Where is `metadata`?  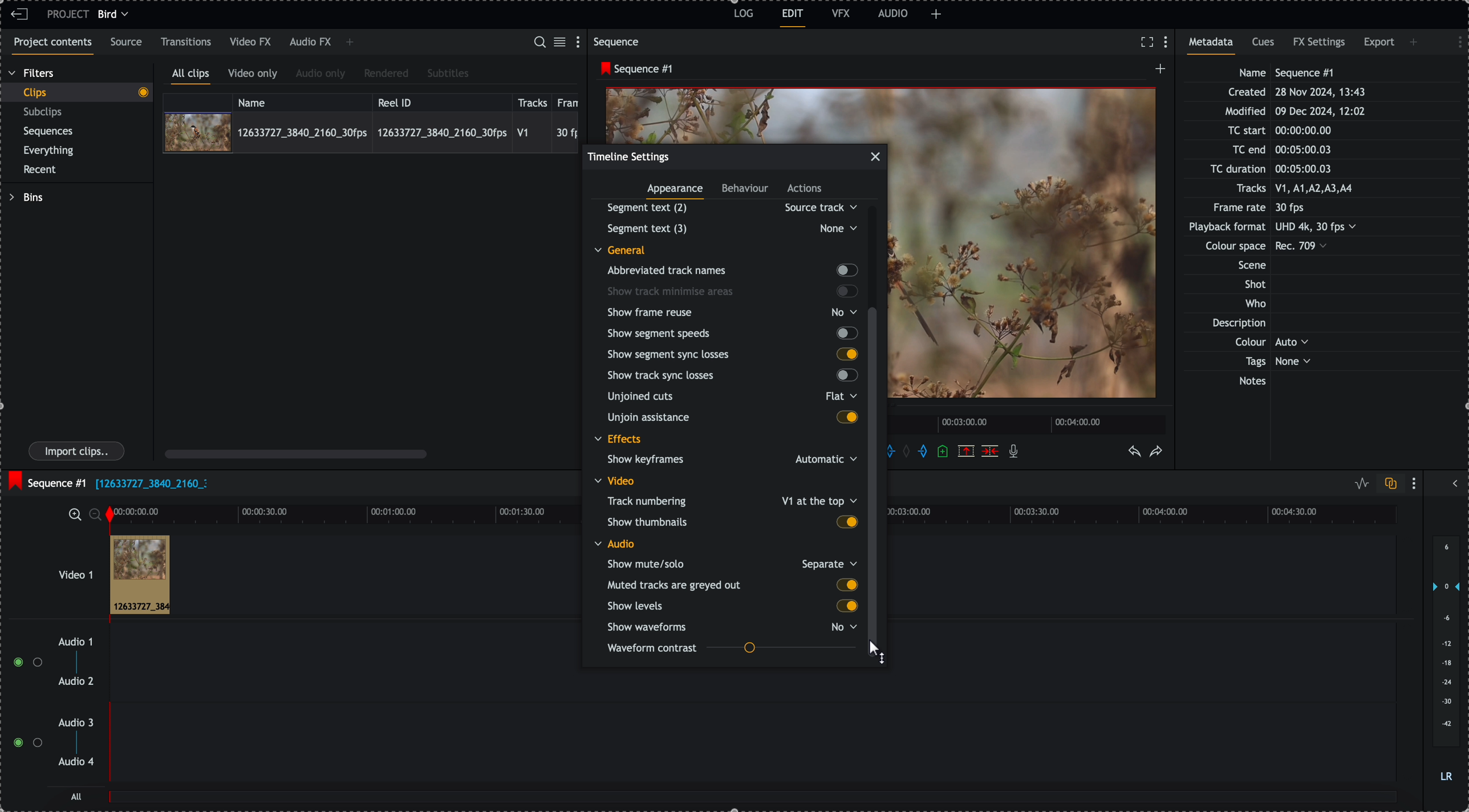
metadata is located at coordinates (1284, 228).